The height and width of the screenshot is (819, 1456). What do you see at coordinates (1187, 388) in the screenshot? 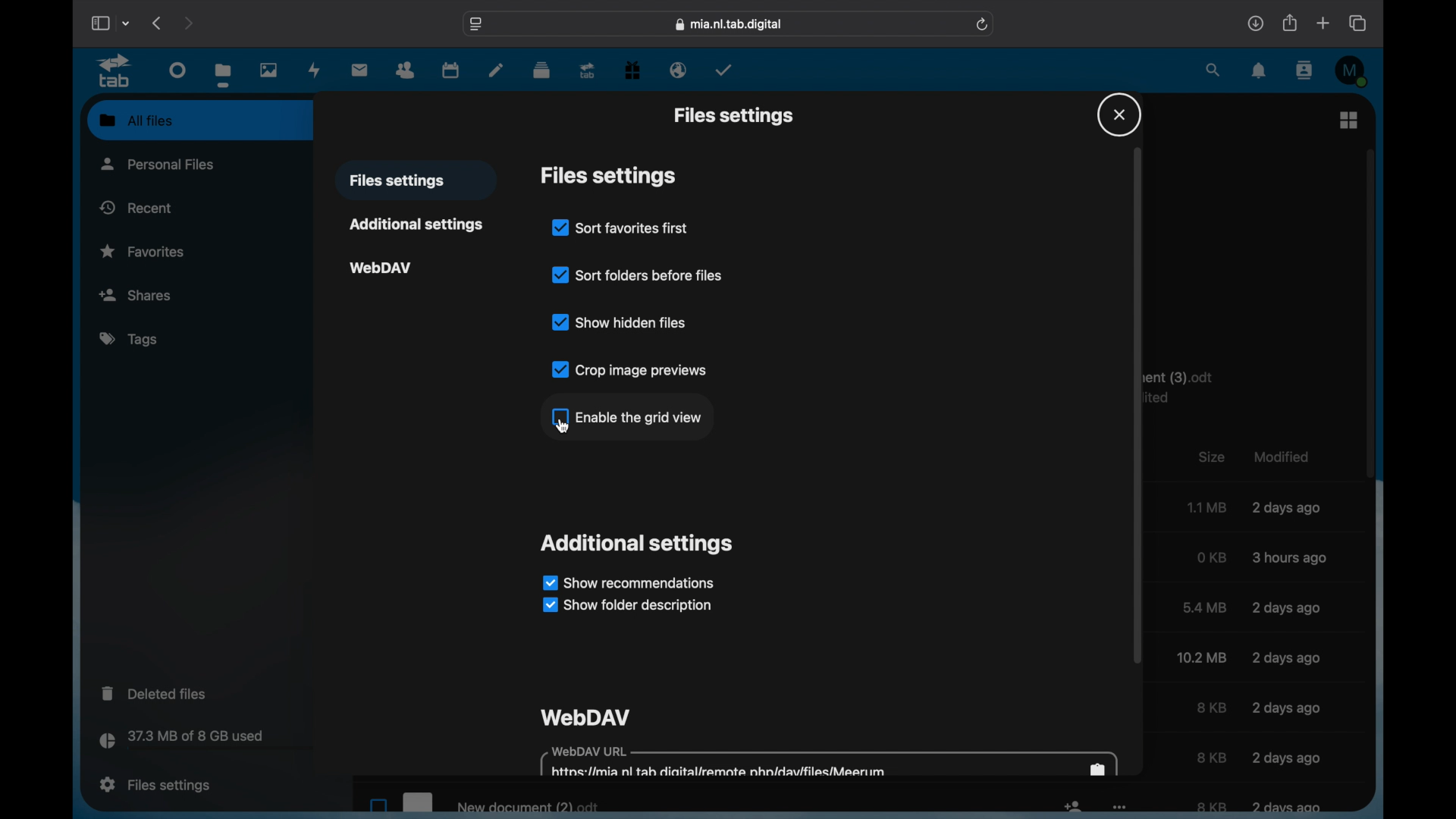
I see `text` at bounding box center [1187, 388].